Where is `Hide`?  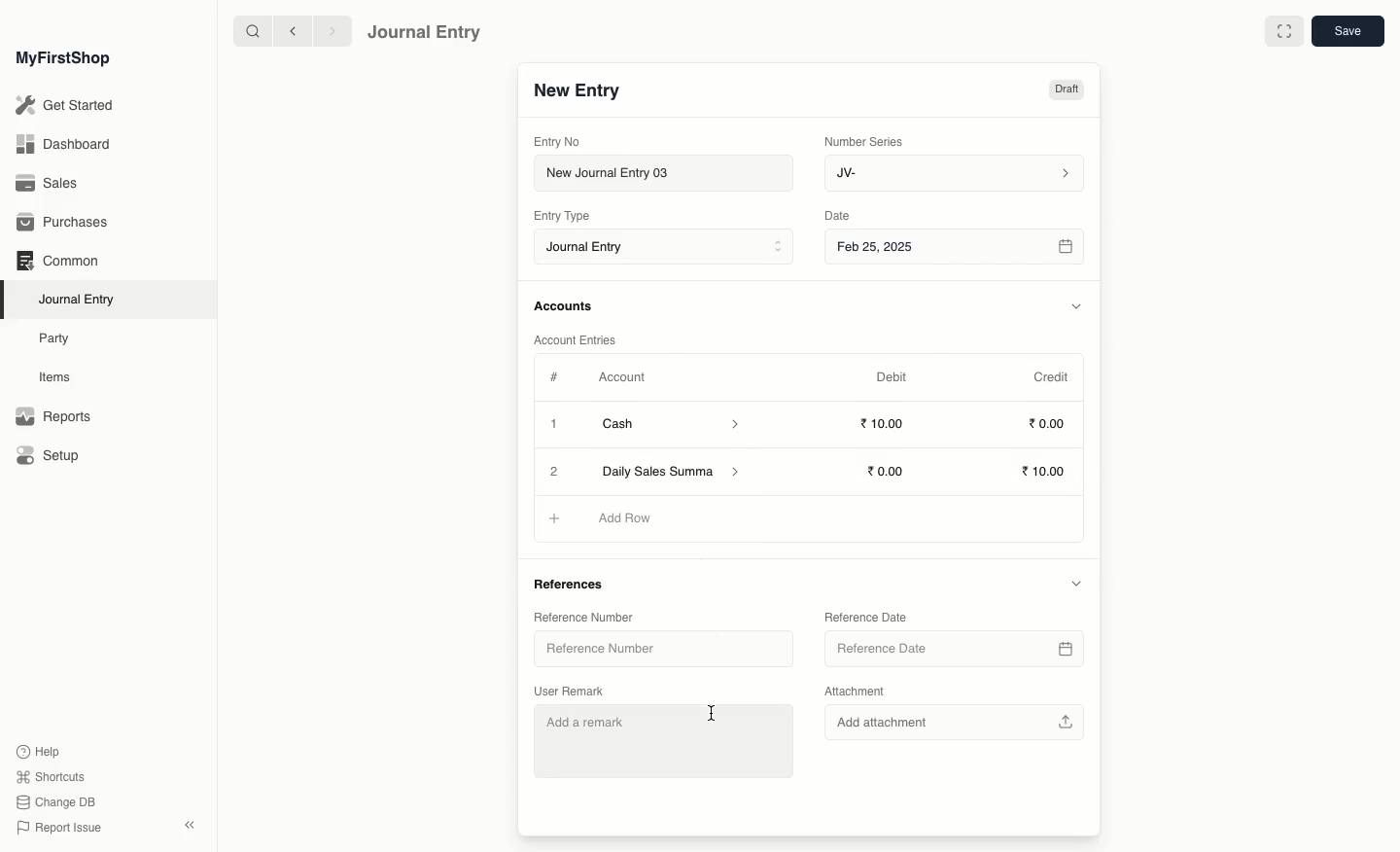
Hide is located at coordinates (1075, 583).